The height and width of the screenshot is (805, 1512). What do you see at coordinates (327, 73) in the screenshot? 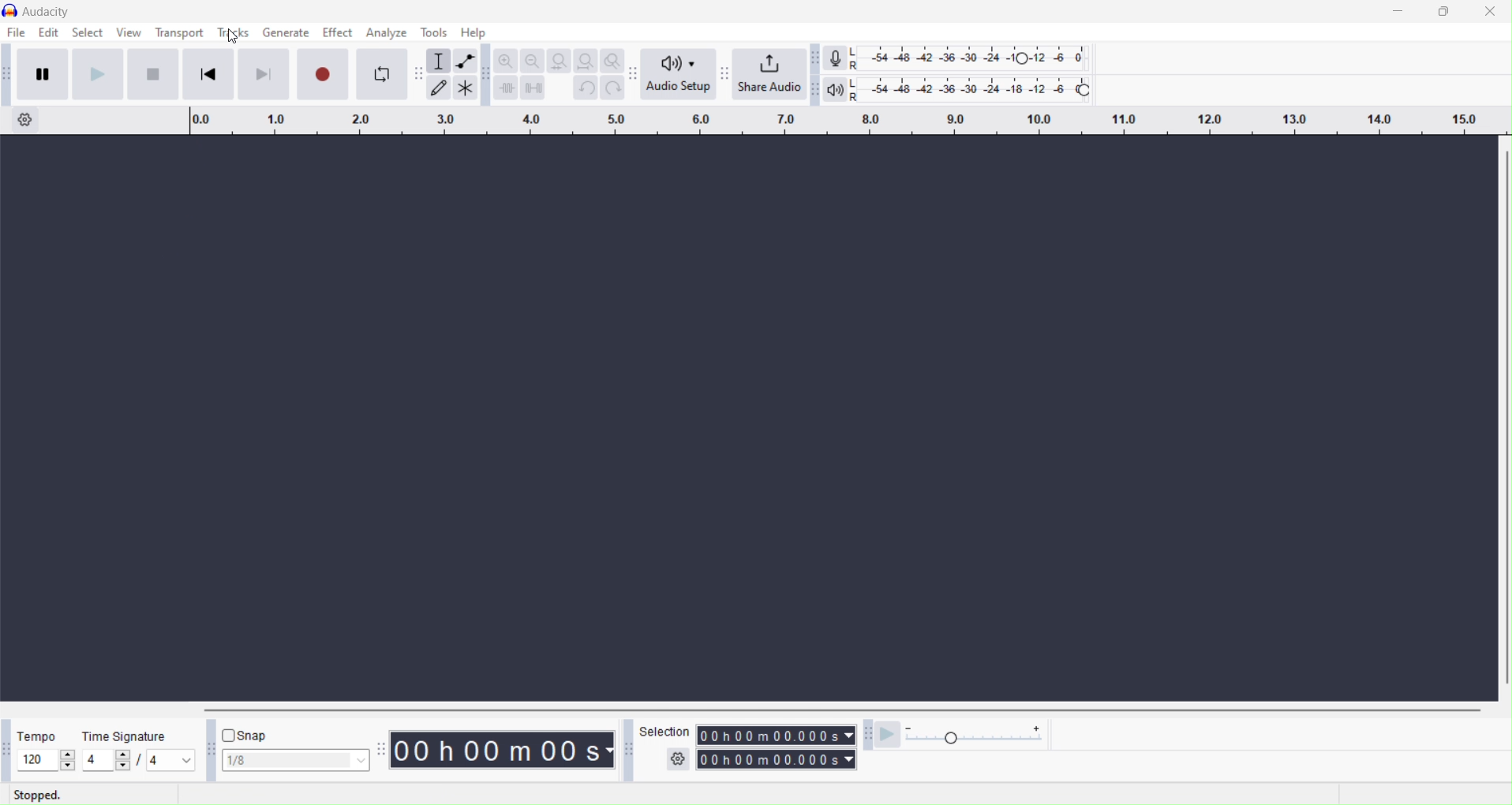
I see `Record` at bounding box center [327, 73].